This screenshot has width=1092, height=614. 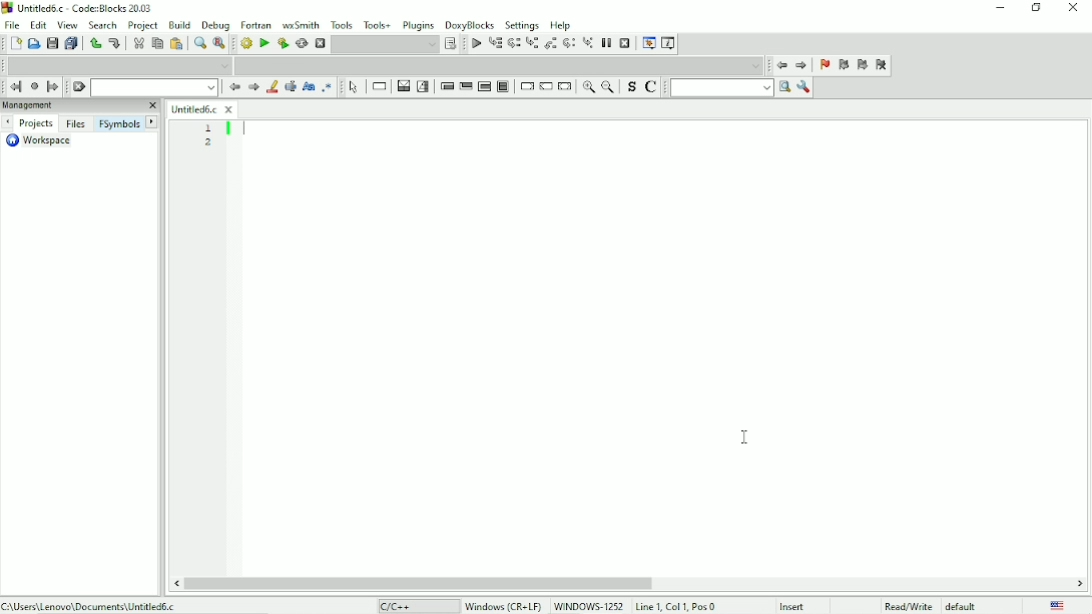 I want to click on Break debugger, so click(x=605, y=43).